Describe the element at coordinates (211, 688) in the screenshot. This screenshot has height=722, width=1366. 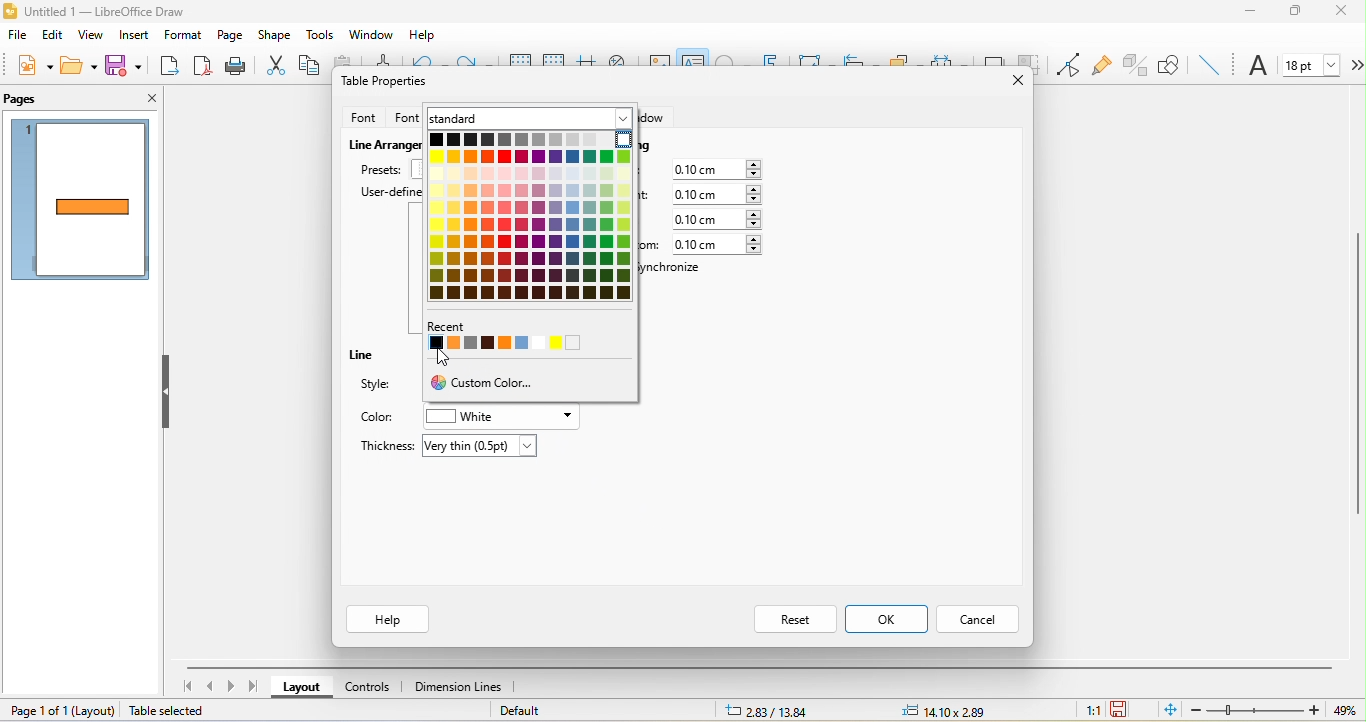
I see `previous page` at that location.